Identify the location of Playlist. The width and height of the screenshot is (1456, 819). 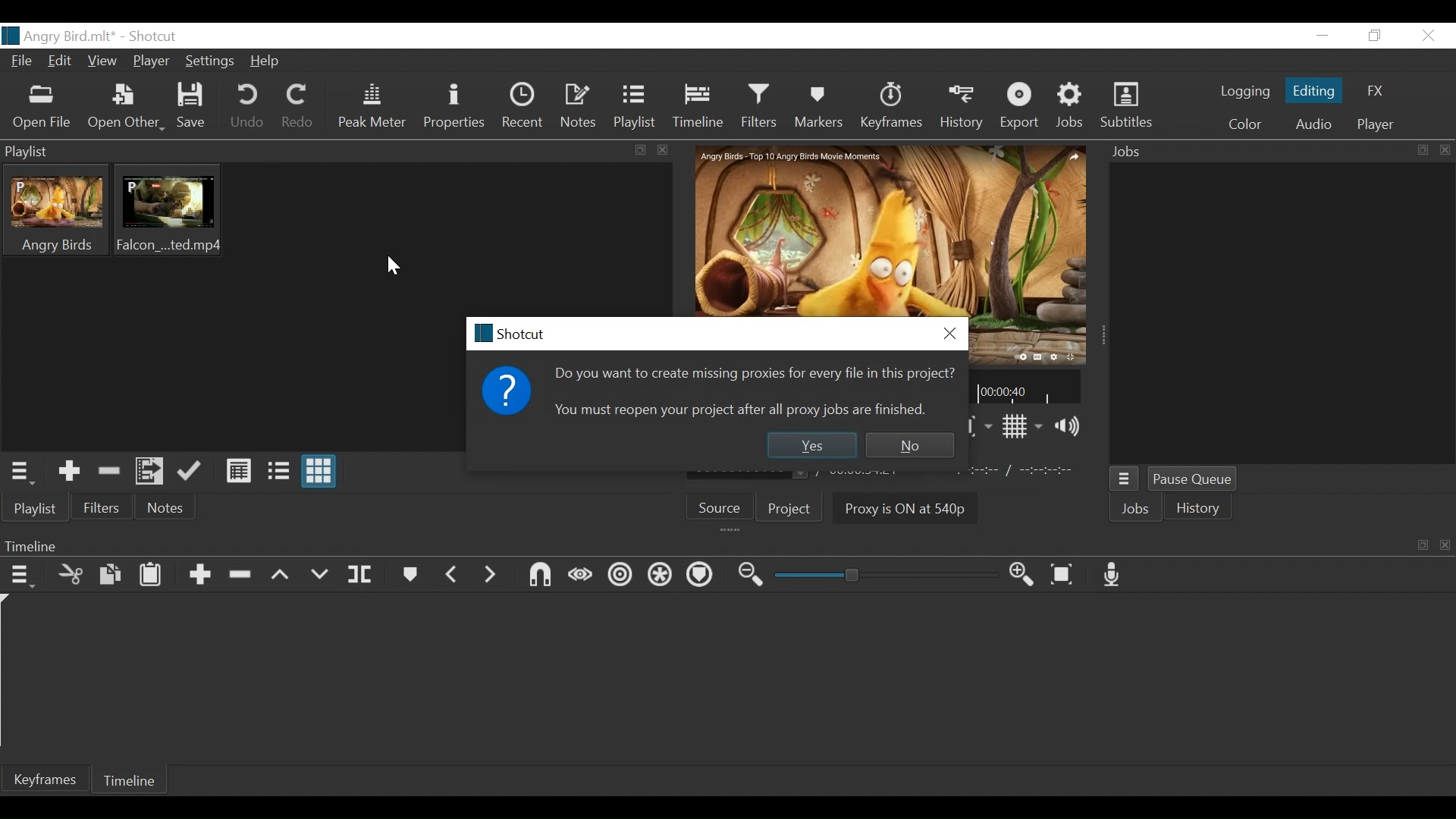
(635, 106).